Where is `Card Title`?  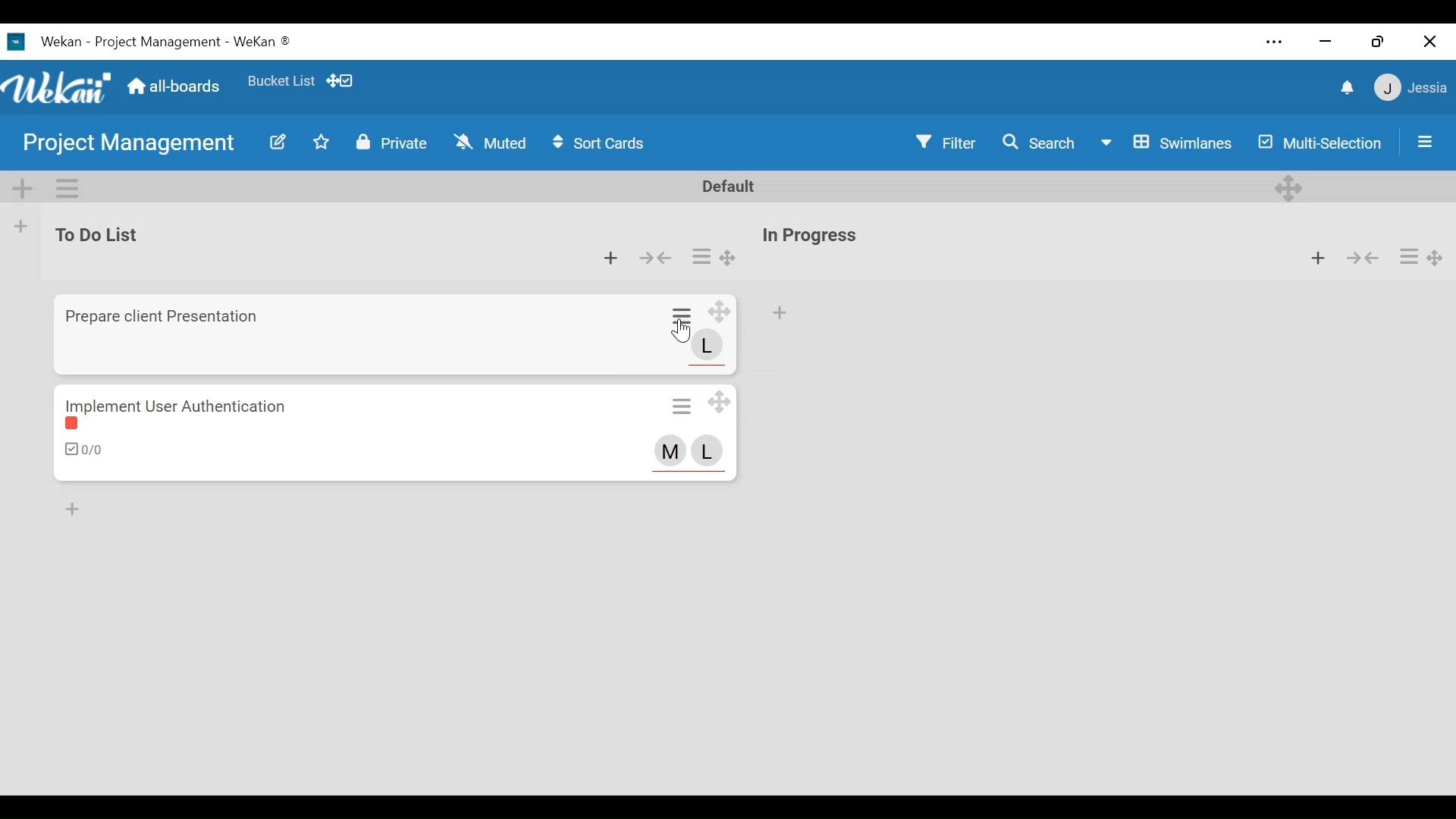 Card Title is located at coordinates (178, 405).